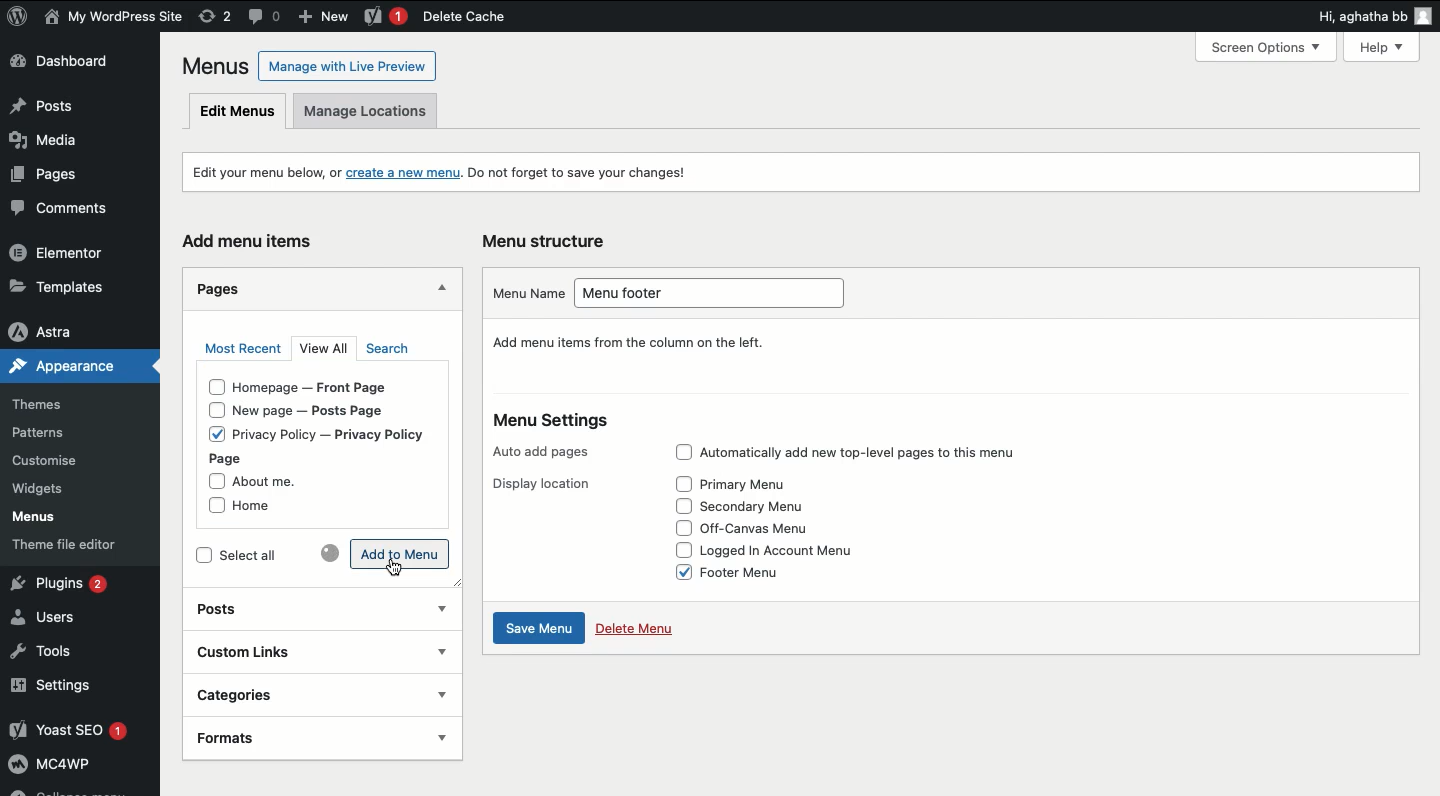  Describe the element at coordinates (50, 652) in the screenshot. I see `Tools` at that location.